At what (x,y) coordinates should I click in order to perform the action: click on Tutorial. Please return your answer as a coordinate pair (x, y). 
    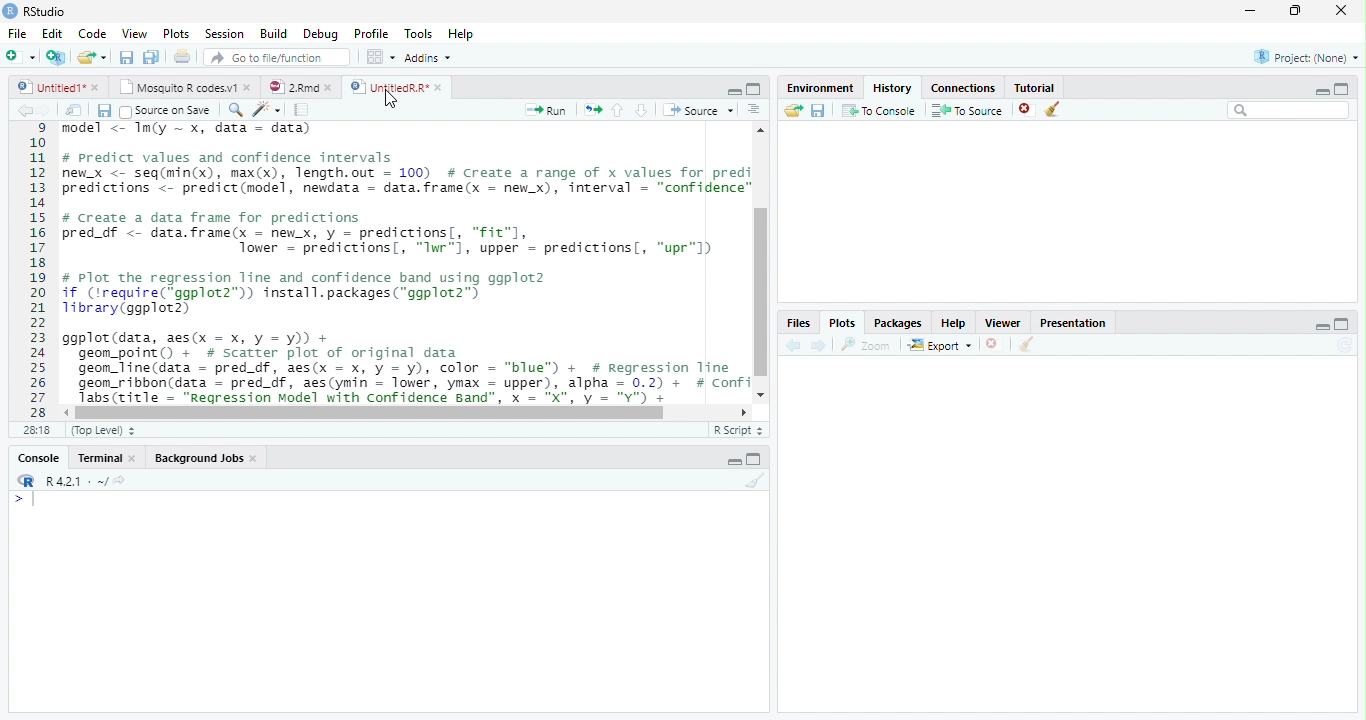
    Looking at the image, I should click on (1035, 88).